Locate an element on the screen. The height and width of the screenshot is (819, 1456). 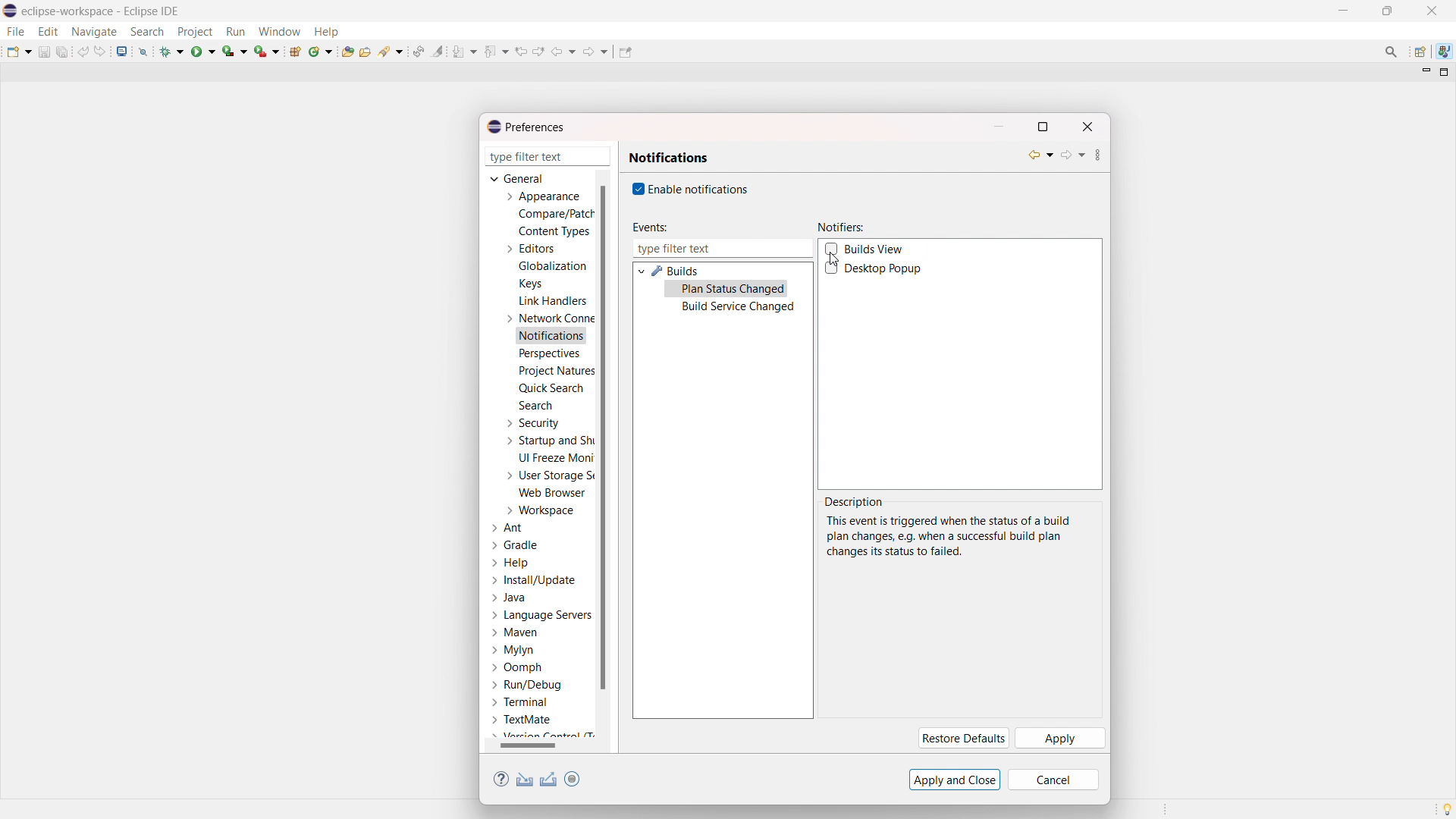
link handlers is located at coordinates (553, 301).